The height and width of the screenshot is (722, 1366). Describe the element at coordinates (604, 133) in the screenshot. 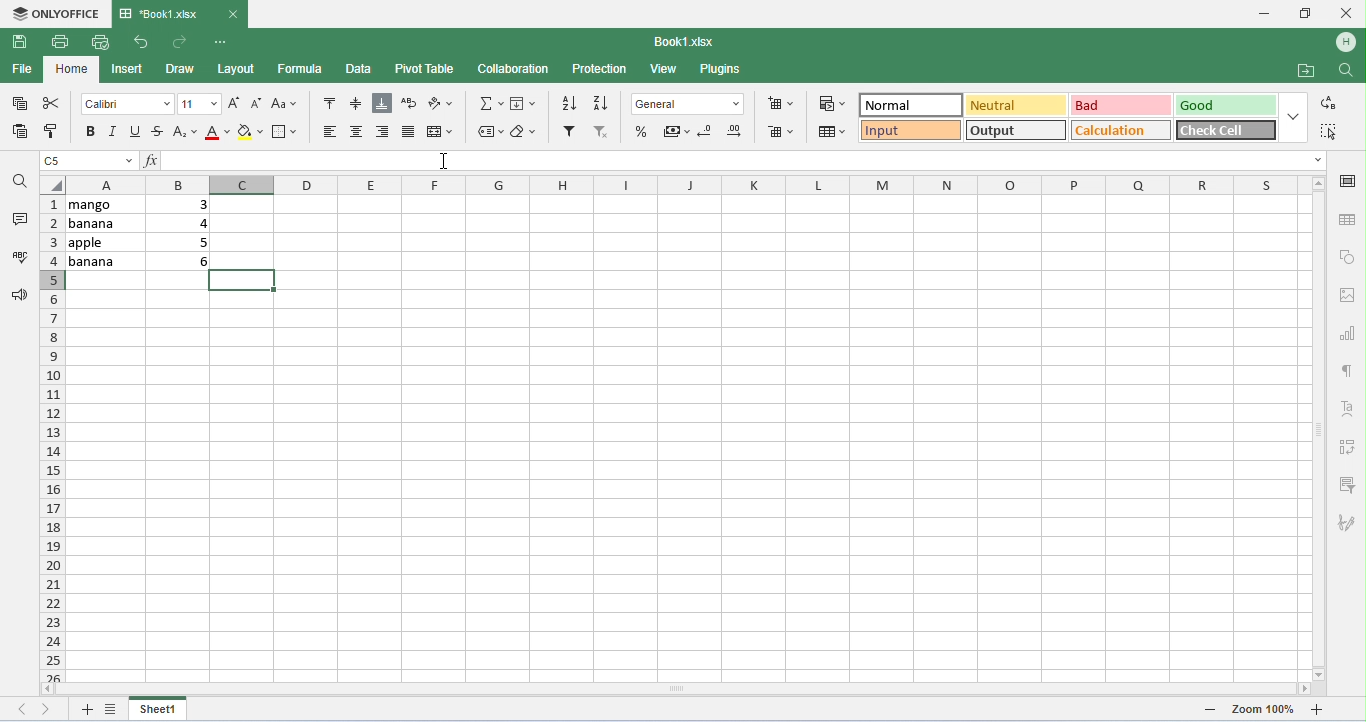

I see `remove filter` at that location.